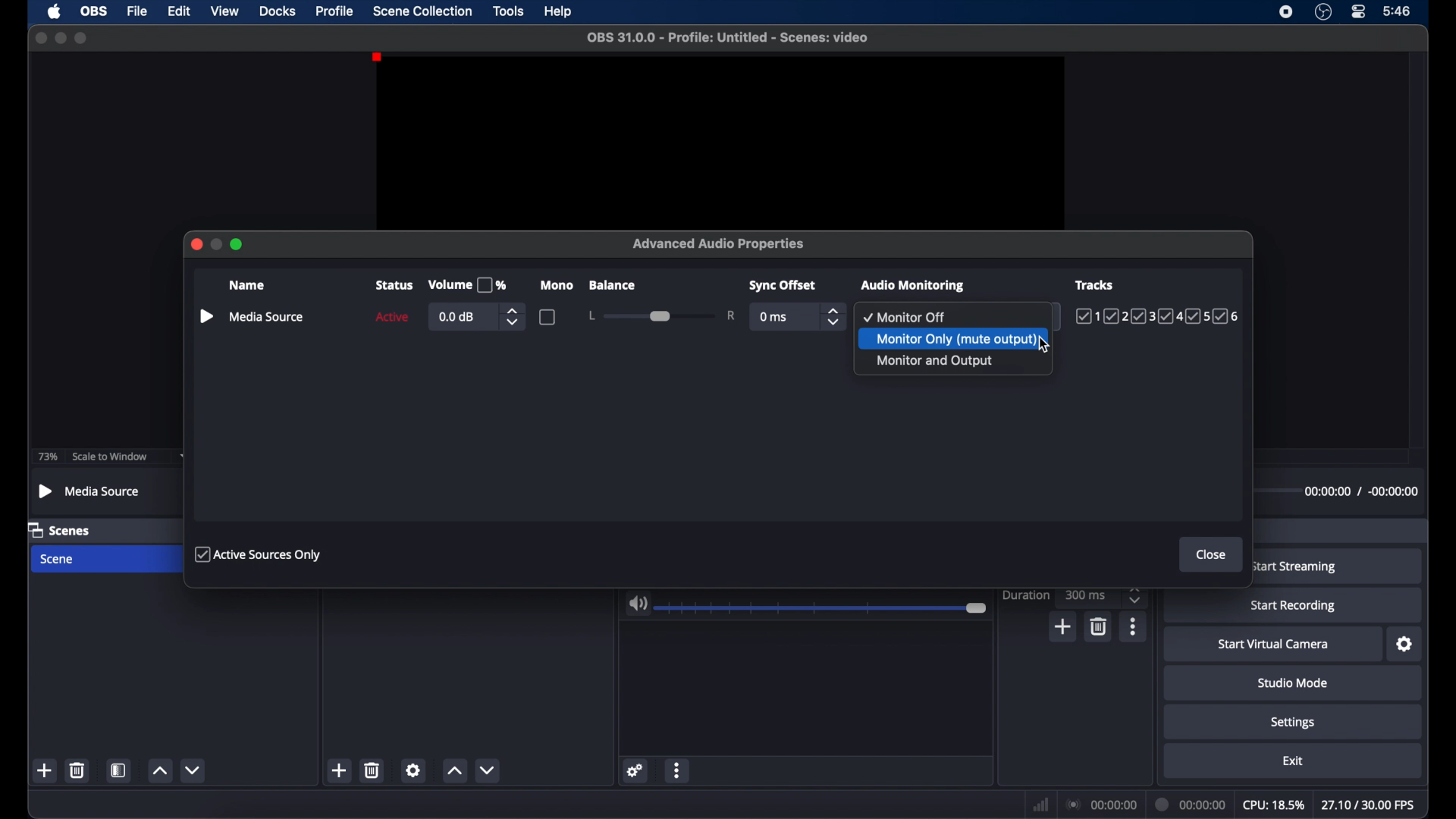 The width and height of the screenshot is (1456, 819). What do you see at coordinates (952, 338) in the screenshot?
I see `monitor only (mute output)` at bounding box center [952, 338].